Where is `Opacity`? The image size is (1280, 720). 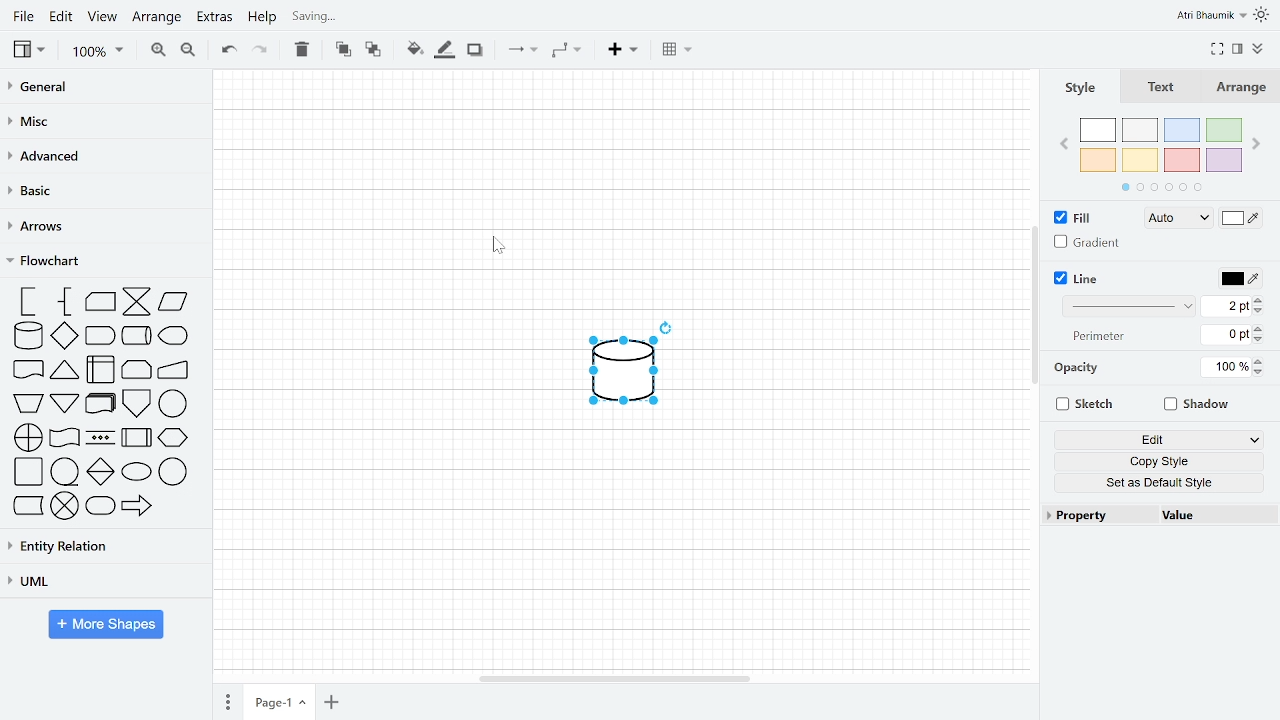
Opacity is located at coordinates (1072, 369).